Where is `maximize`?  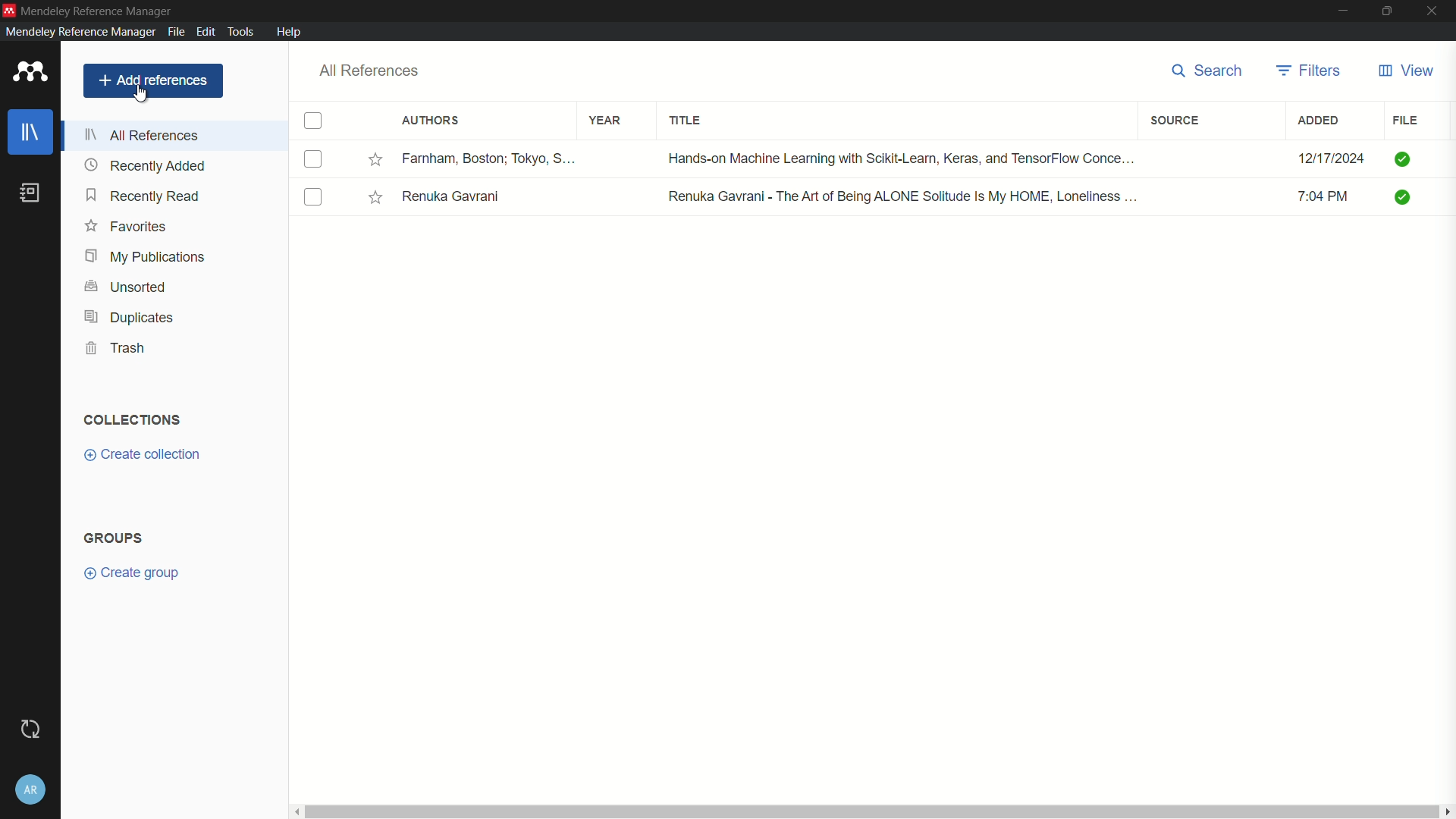 maximize is located at coordinates (1389, 11).